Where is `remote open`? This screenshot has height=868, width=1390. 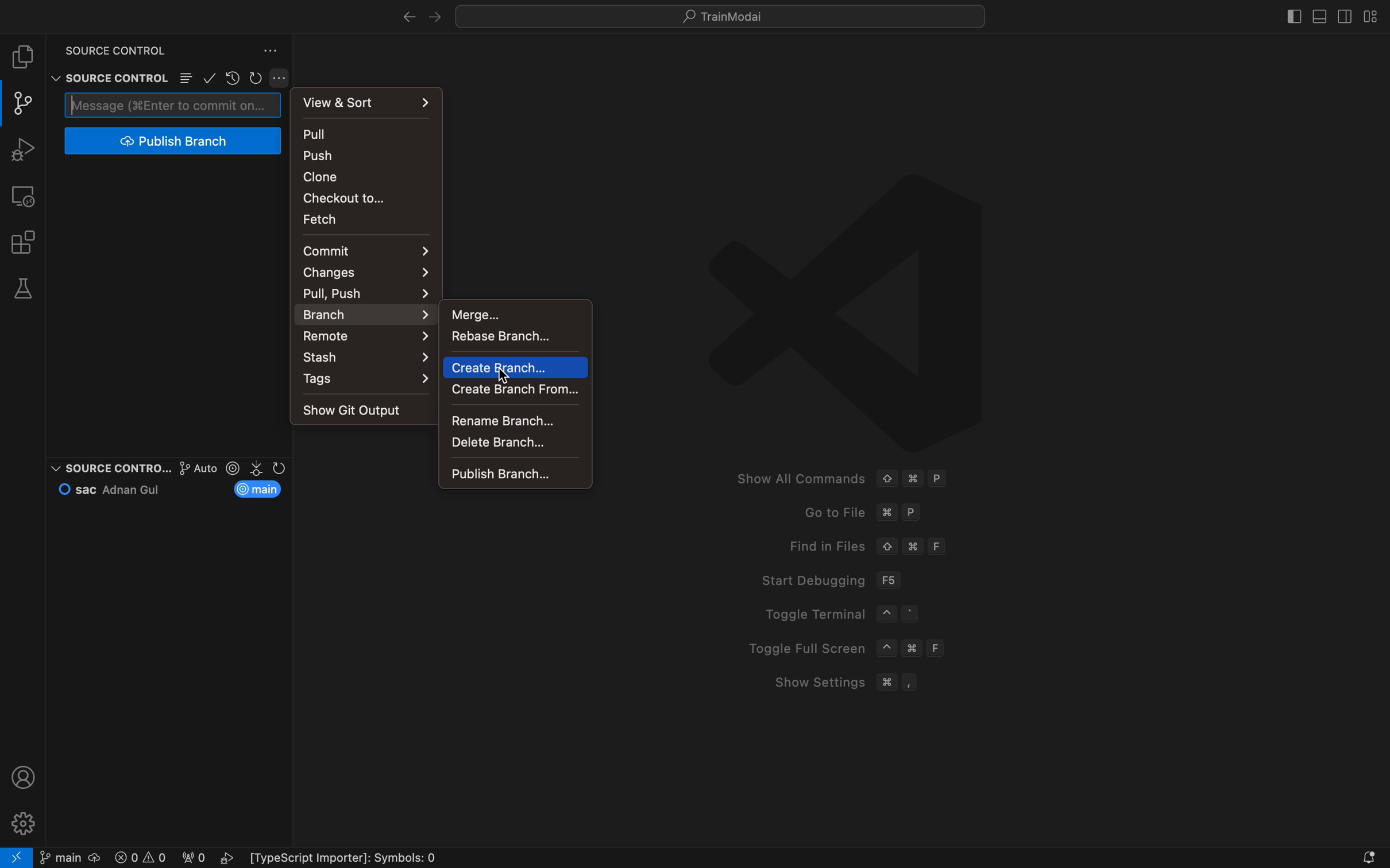 remote open is located at coordinates (17, 857).